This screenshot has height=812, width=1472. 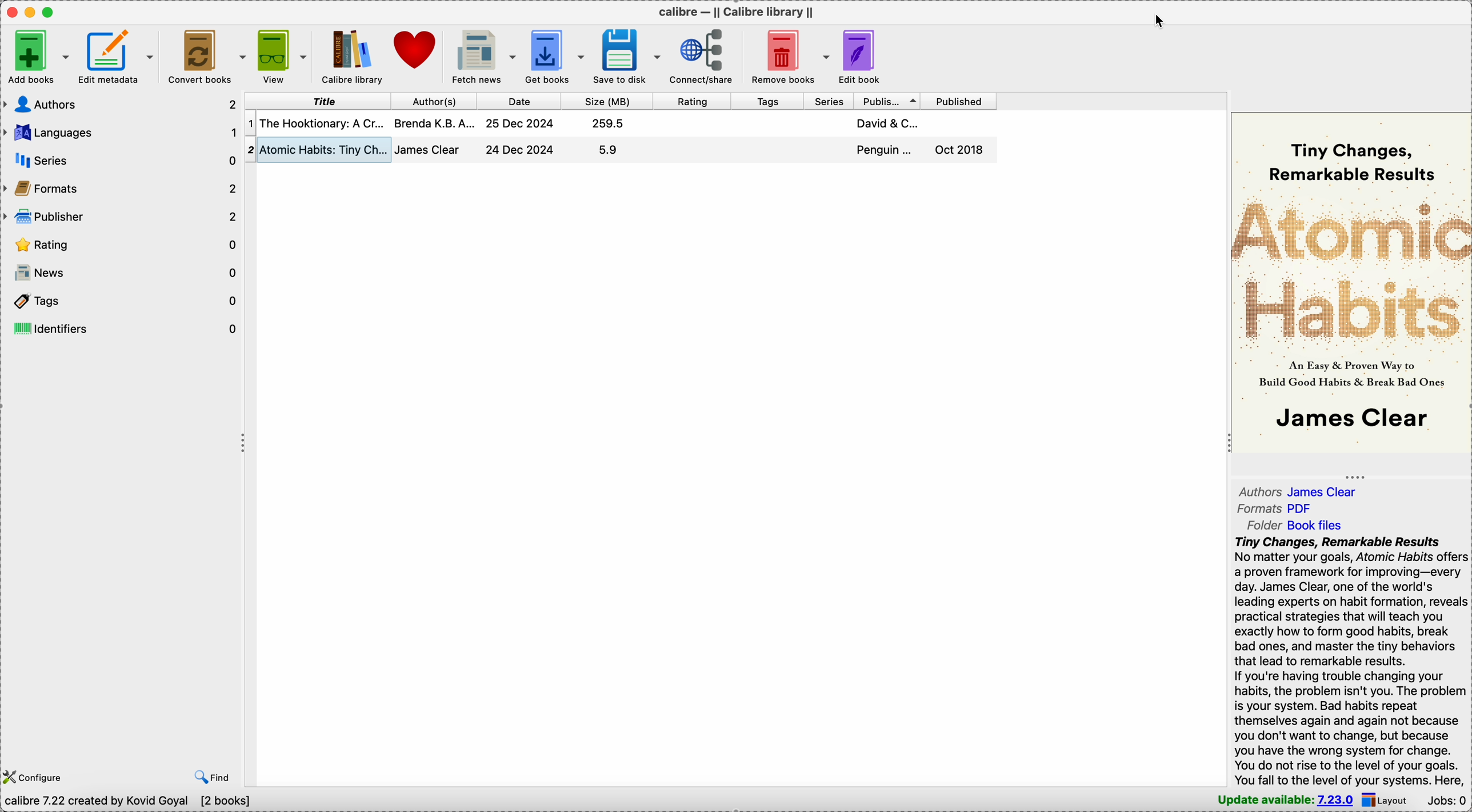 What do you see at coordinates (251, 151) in the screenshot?
I see `2` at bounding box center [251, 151].